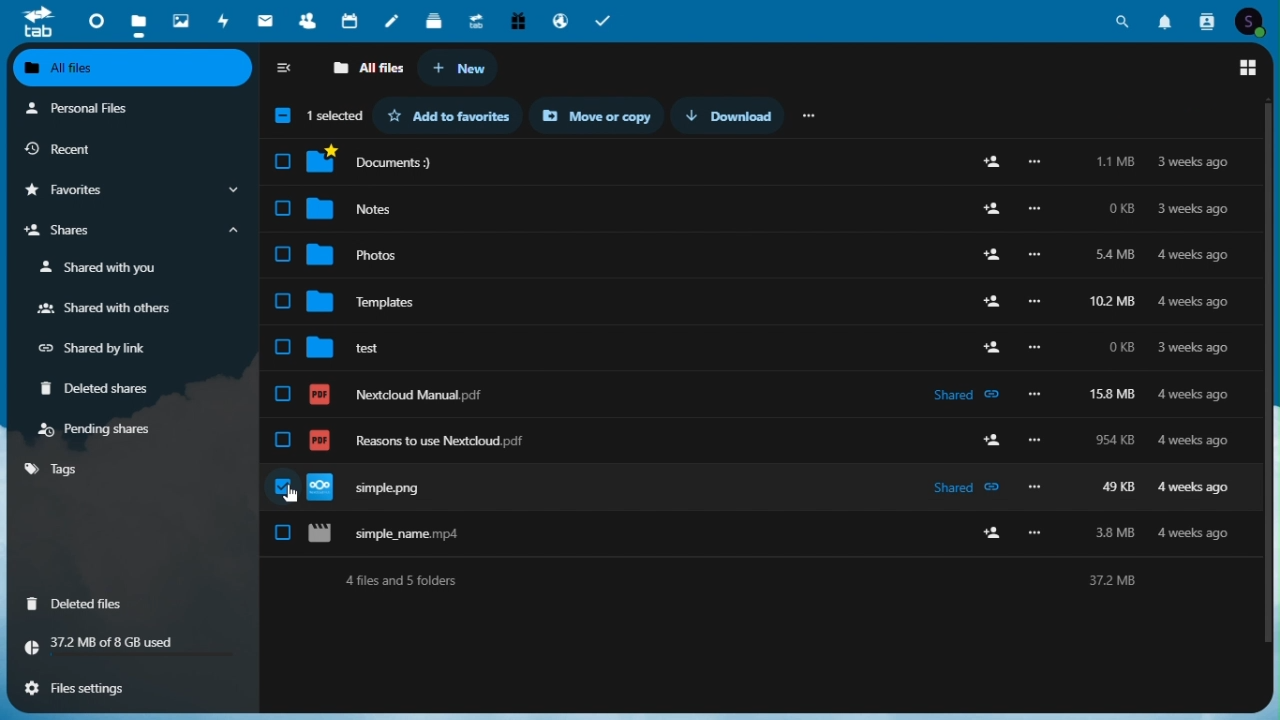  What do you see at coordinates (759, 249) in the screenshot?
I see `Photos 54 Mb 4 weeks ago` at bounding box center [759, 249].